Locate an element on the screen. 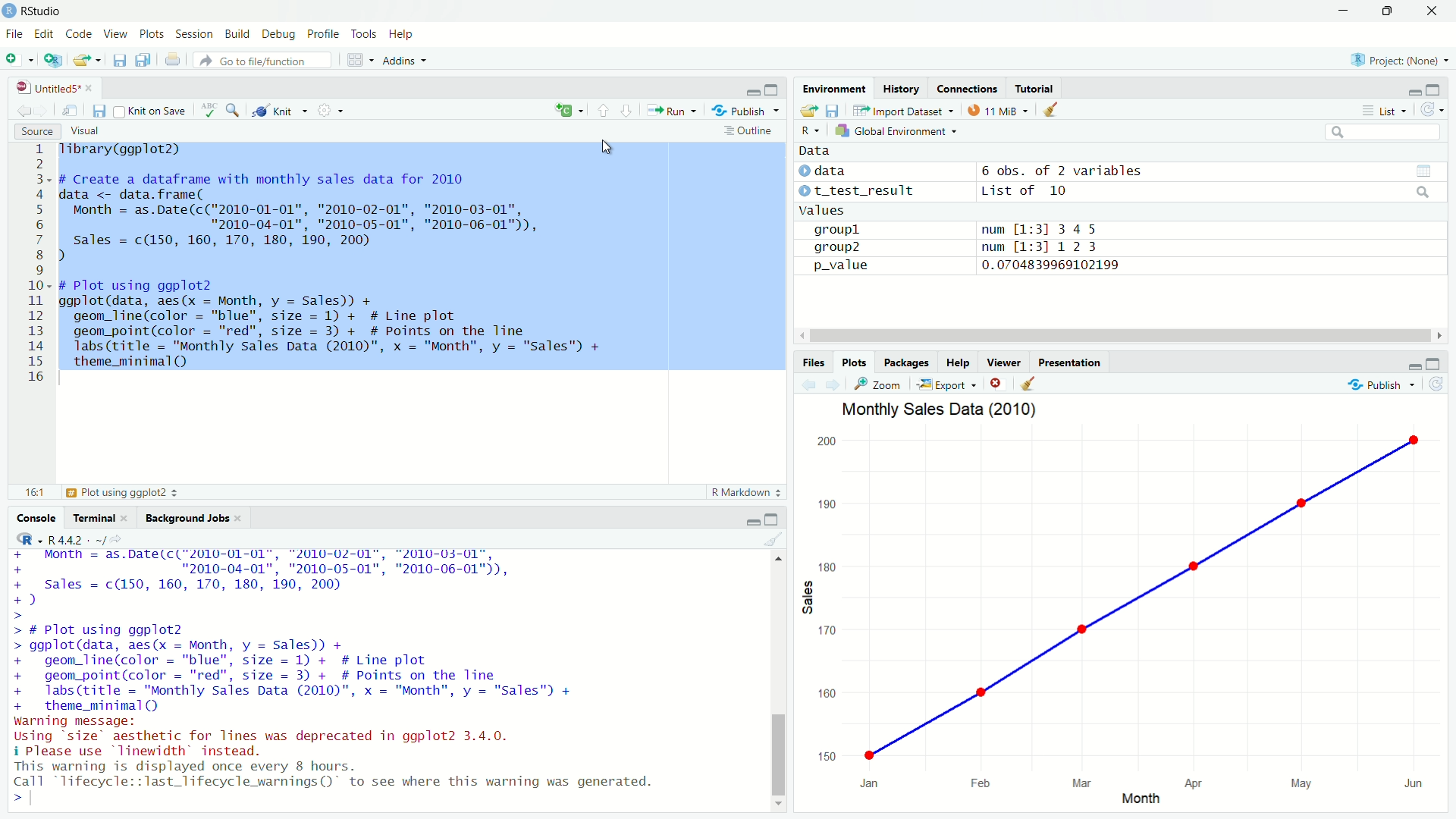 The height and width of the screenshot is (819, 1456). save workspace as is located at coordinates (833, 111).